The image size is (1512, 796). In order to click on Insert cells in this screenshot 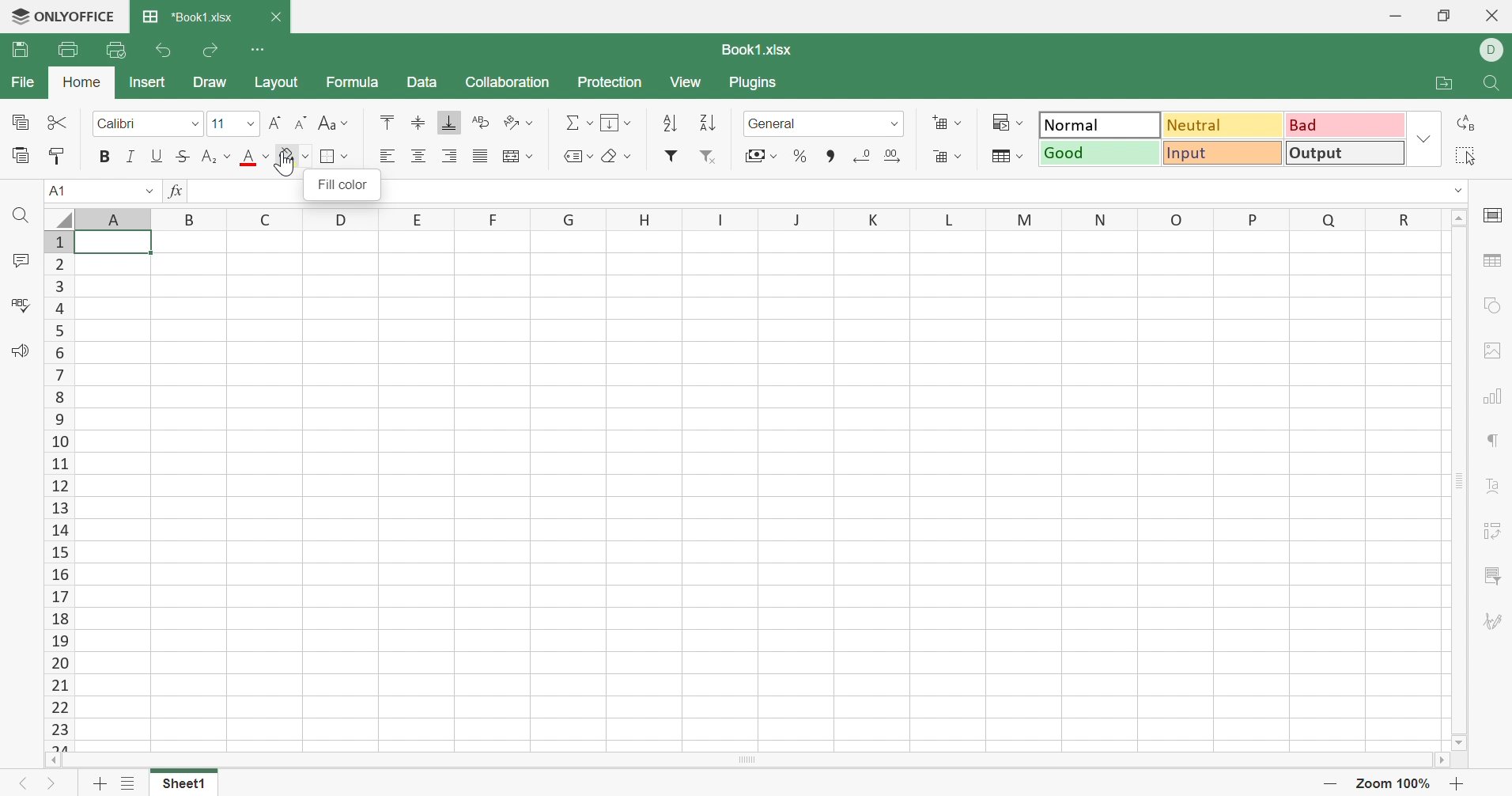, I will do `click(948, 124)`.